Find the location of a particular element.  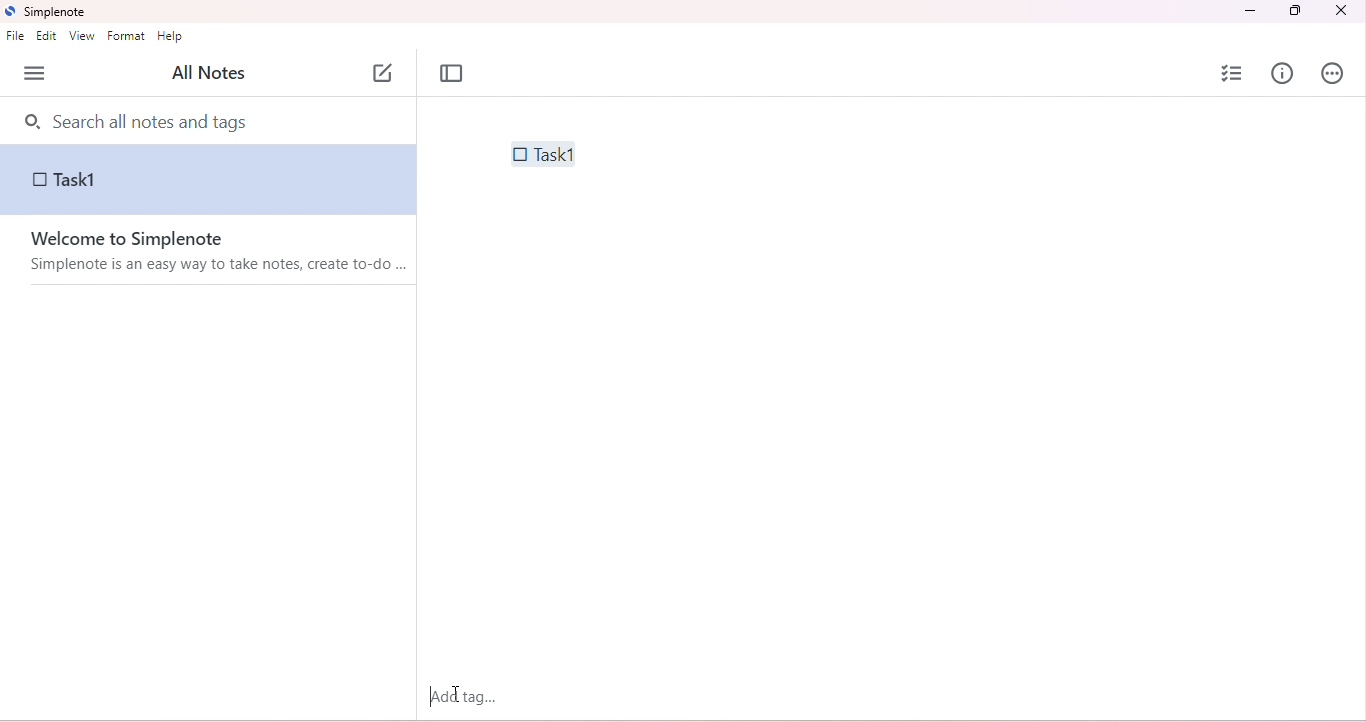

format is located at coordinates (129, 37).